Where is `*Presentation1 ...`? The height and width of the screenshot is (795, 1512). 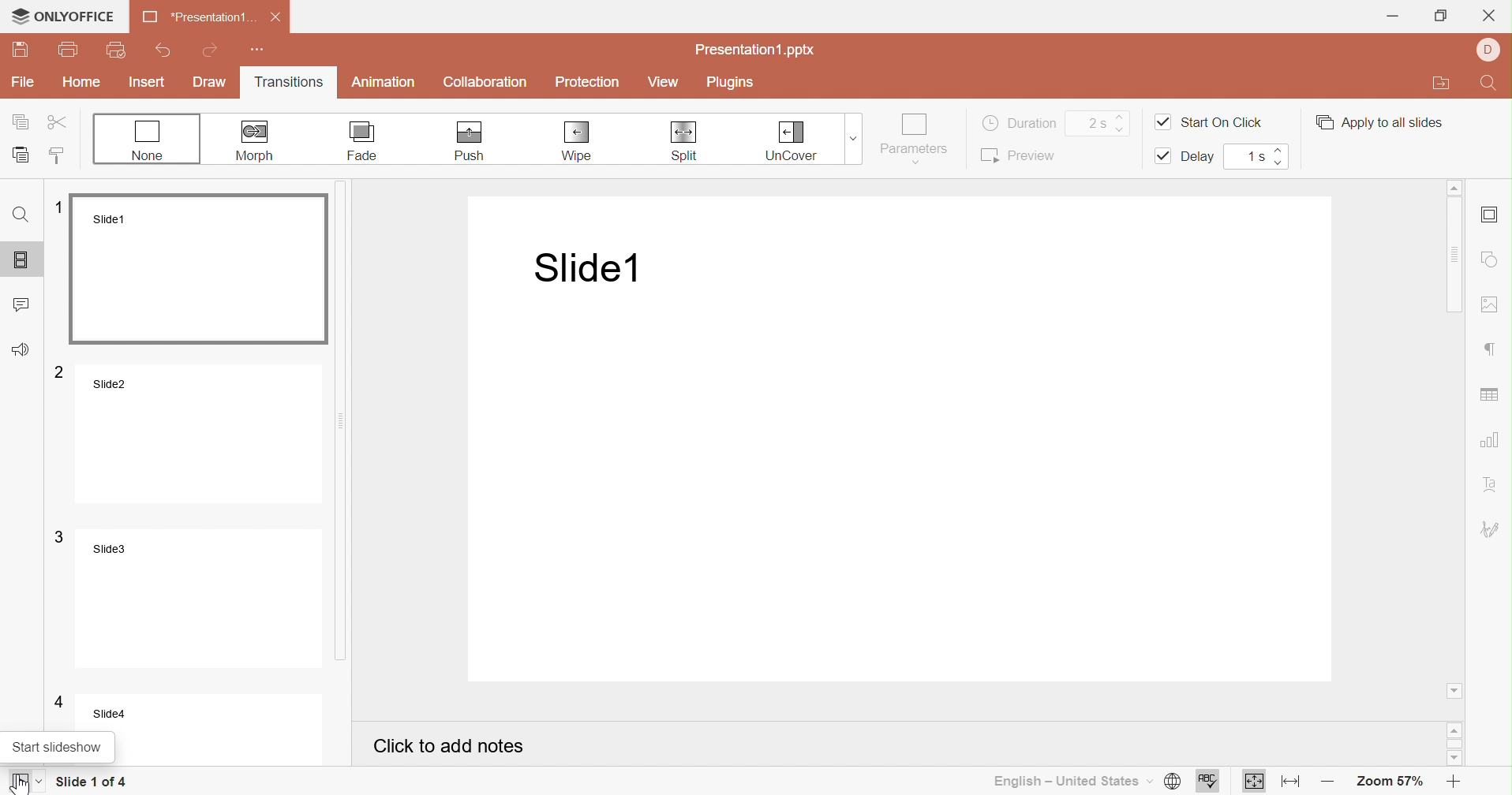
*Presentation1 ... is located at coordinates (199, 17).